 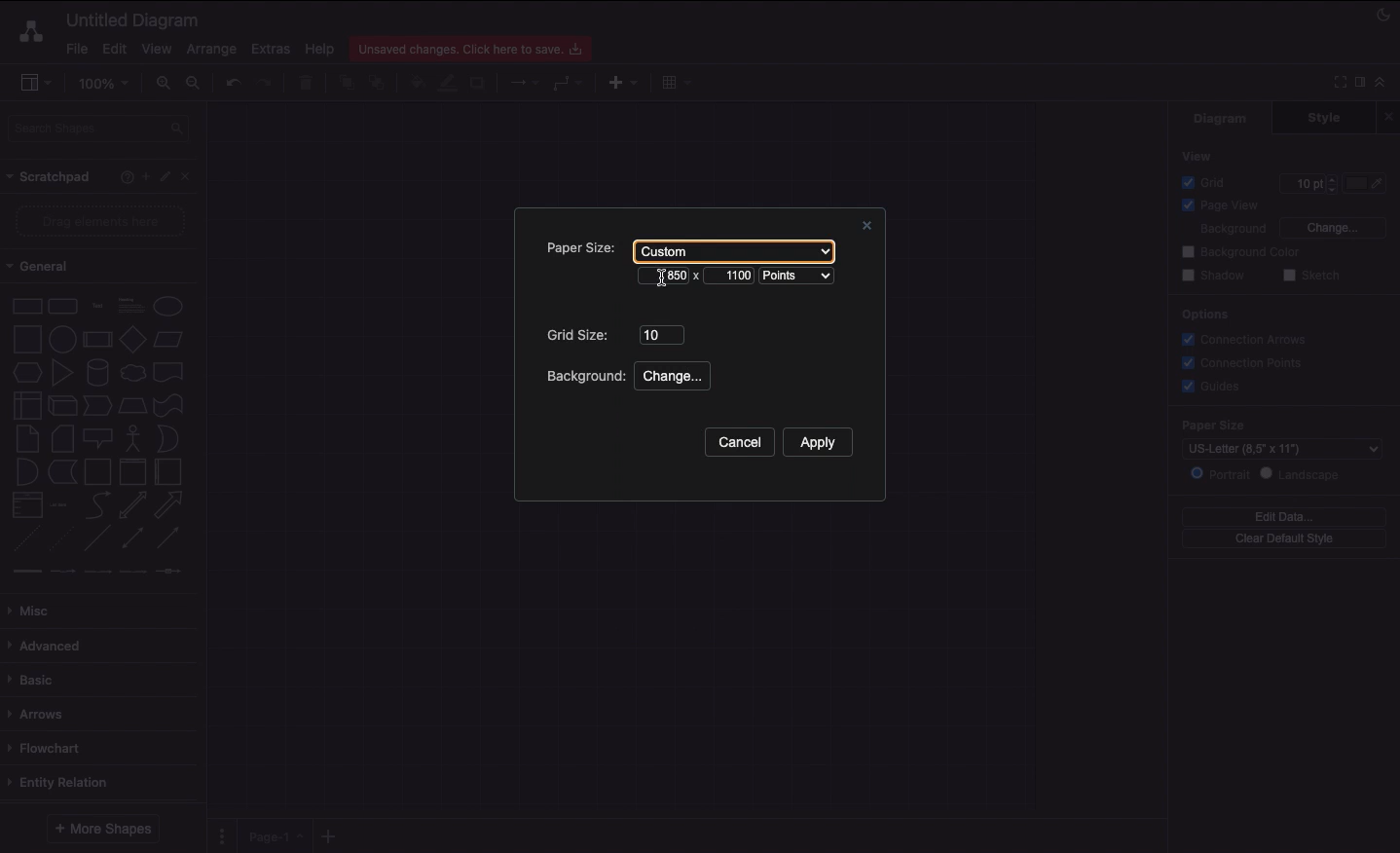 I want to click on Zoom out, so click(x=196, y=85).